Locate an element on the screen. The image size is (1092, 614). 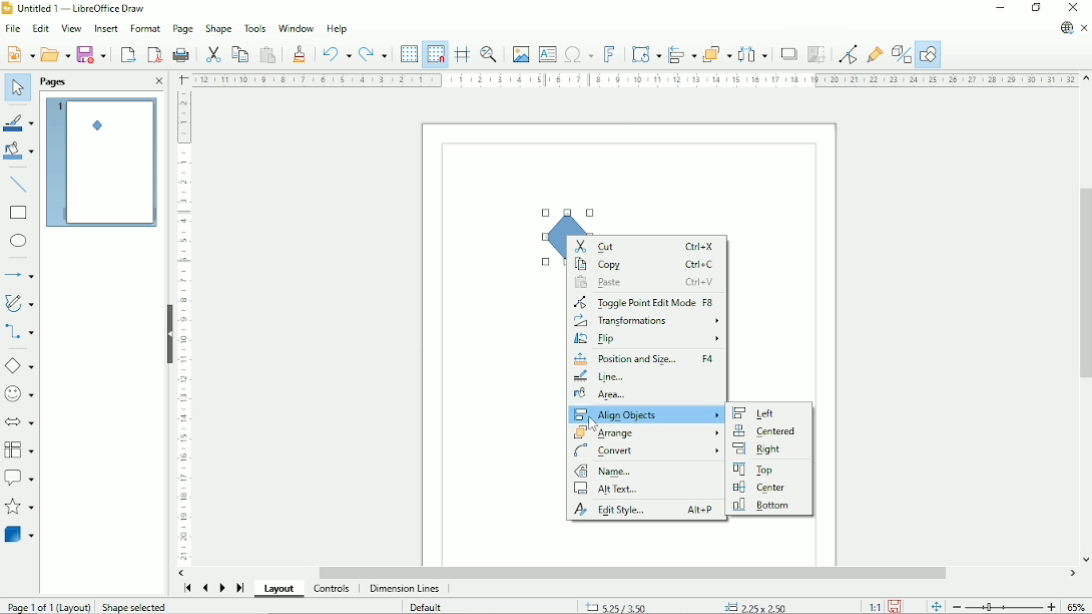
Rectangle is located at coordinates (19, 213).